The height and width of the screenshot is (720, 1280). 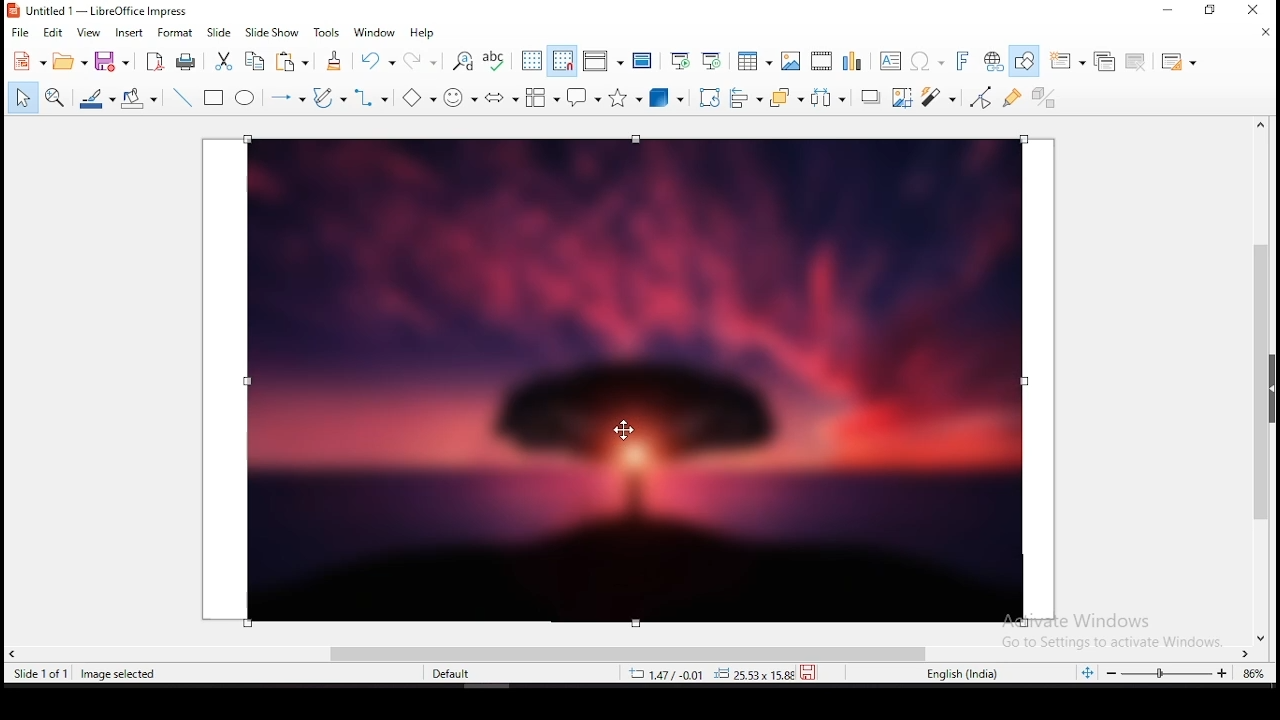 What do you see at coordinates (1045, 95) in the screenshot?
I see `toggle extrusion` at bounding box center [1045, 95].